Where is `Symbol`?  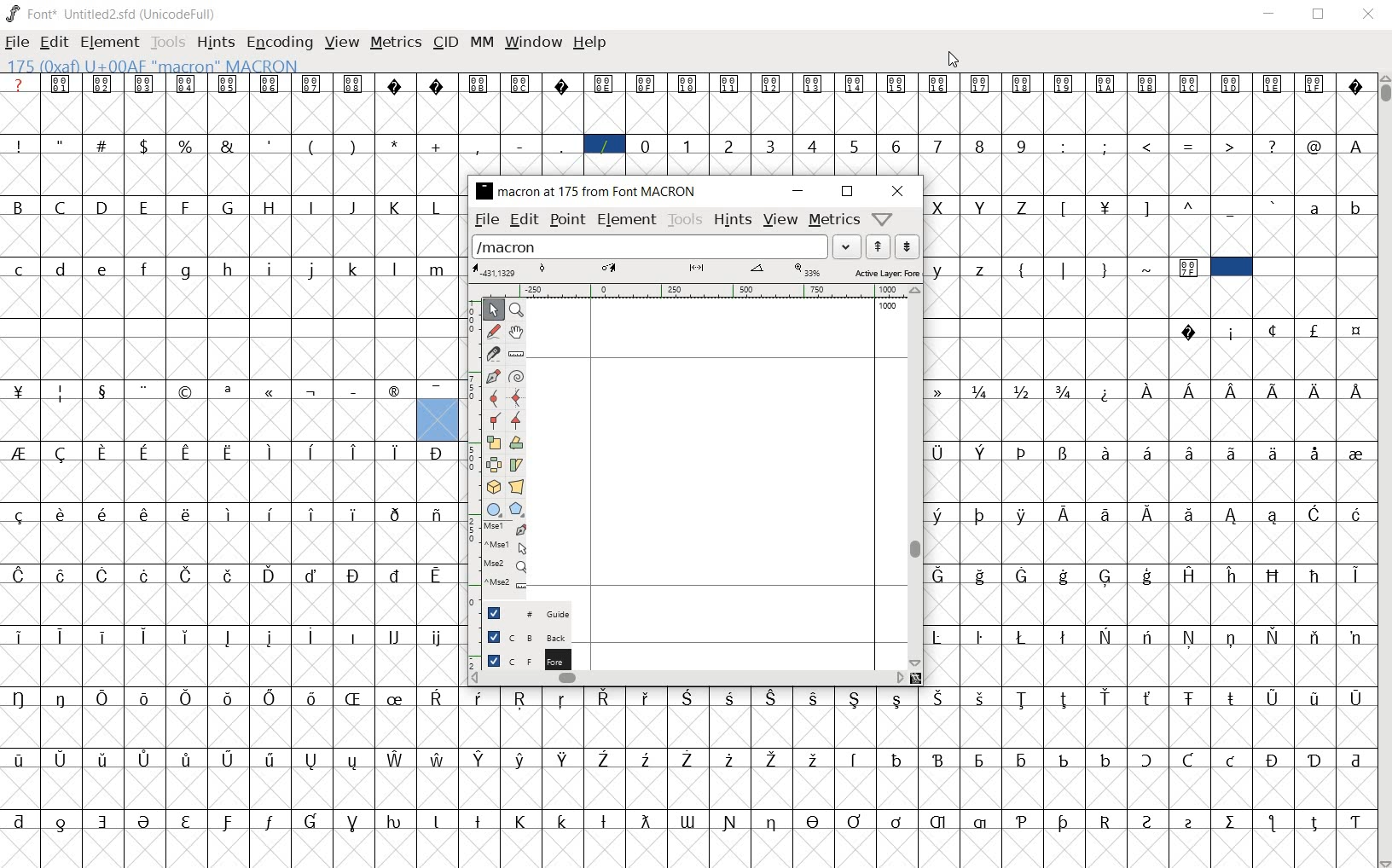 Symbol is located at coordinates (1105, 513).